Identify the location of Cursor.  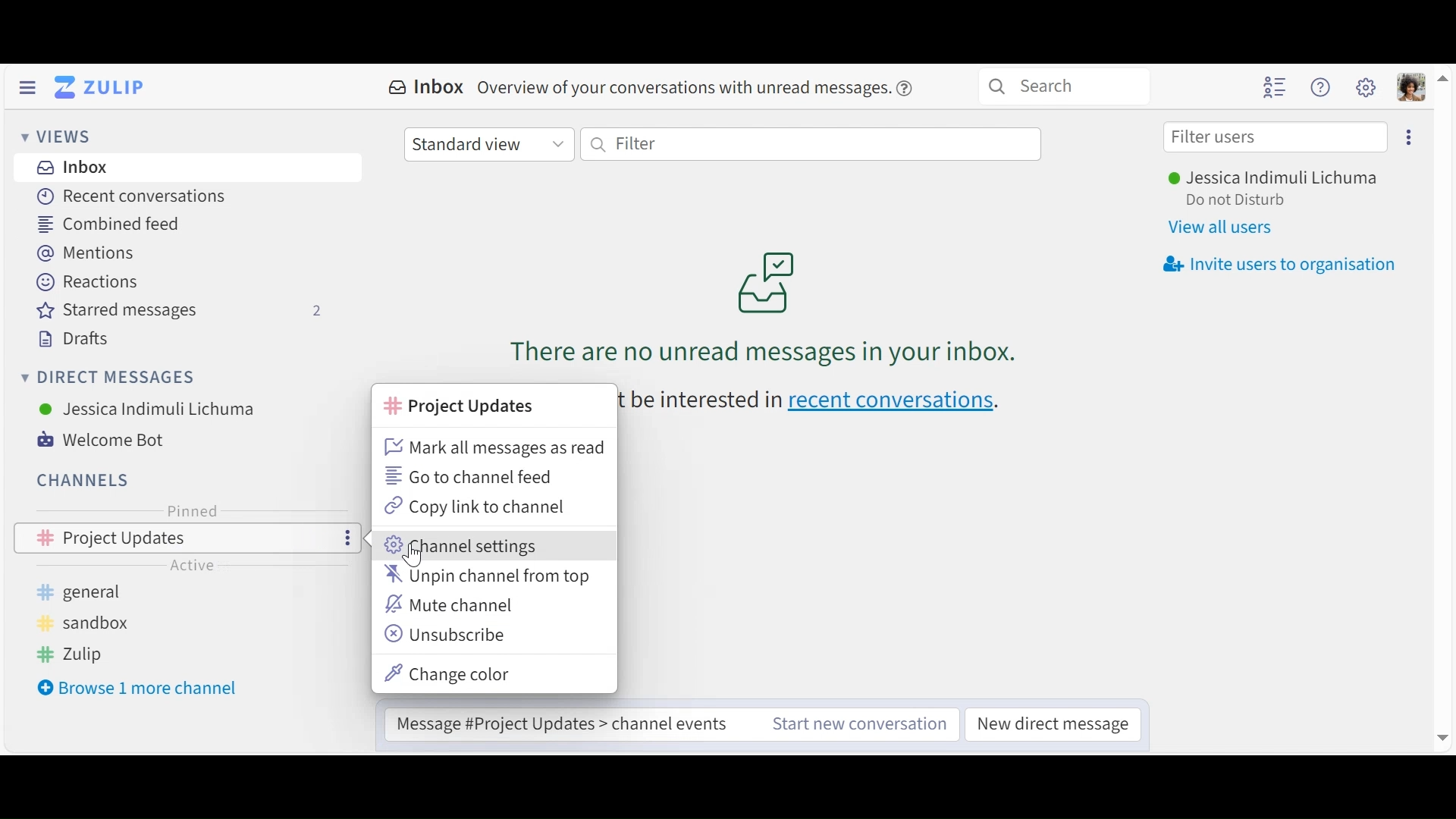
(415, 560).